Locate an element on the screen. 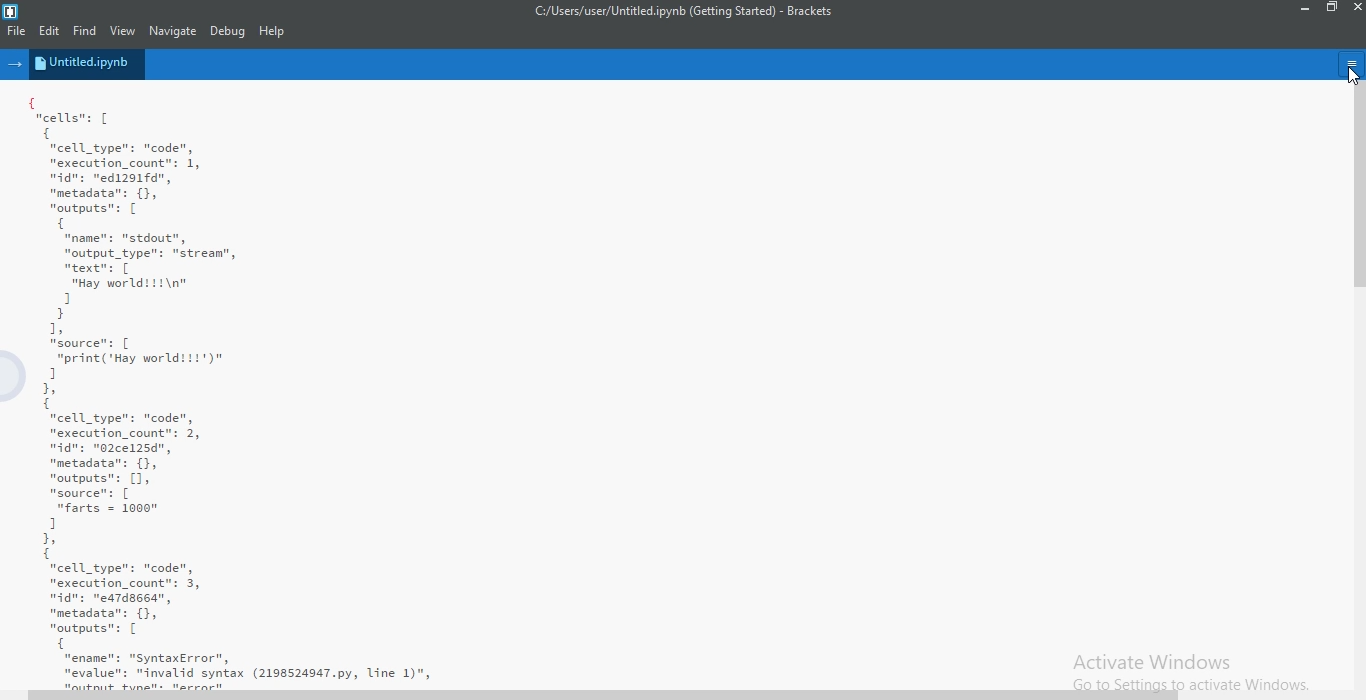 This screenshot has height=700, width=1366. close is located at coordinates (1355, 11).